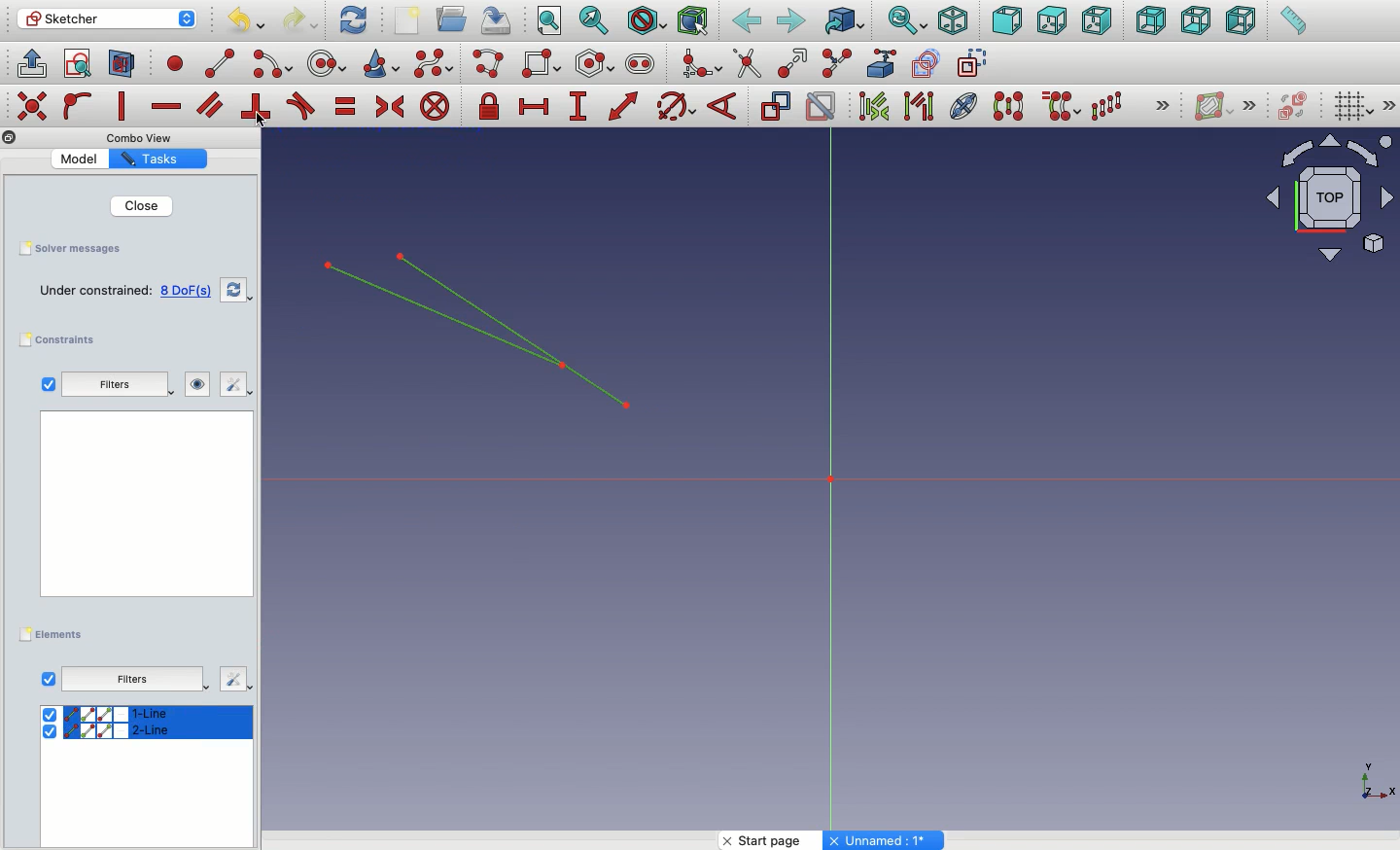 The height and width of the screenshot is (850, 1400). What do you see at coordinates (55, 633) in the screenshot?
I see `Elements ` at bounding box center [55, 633].